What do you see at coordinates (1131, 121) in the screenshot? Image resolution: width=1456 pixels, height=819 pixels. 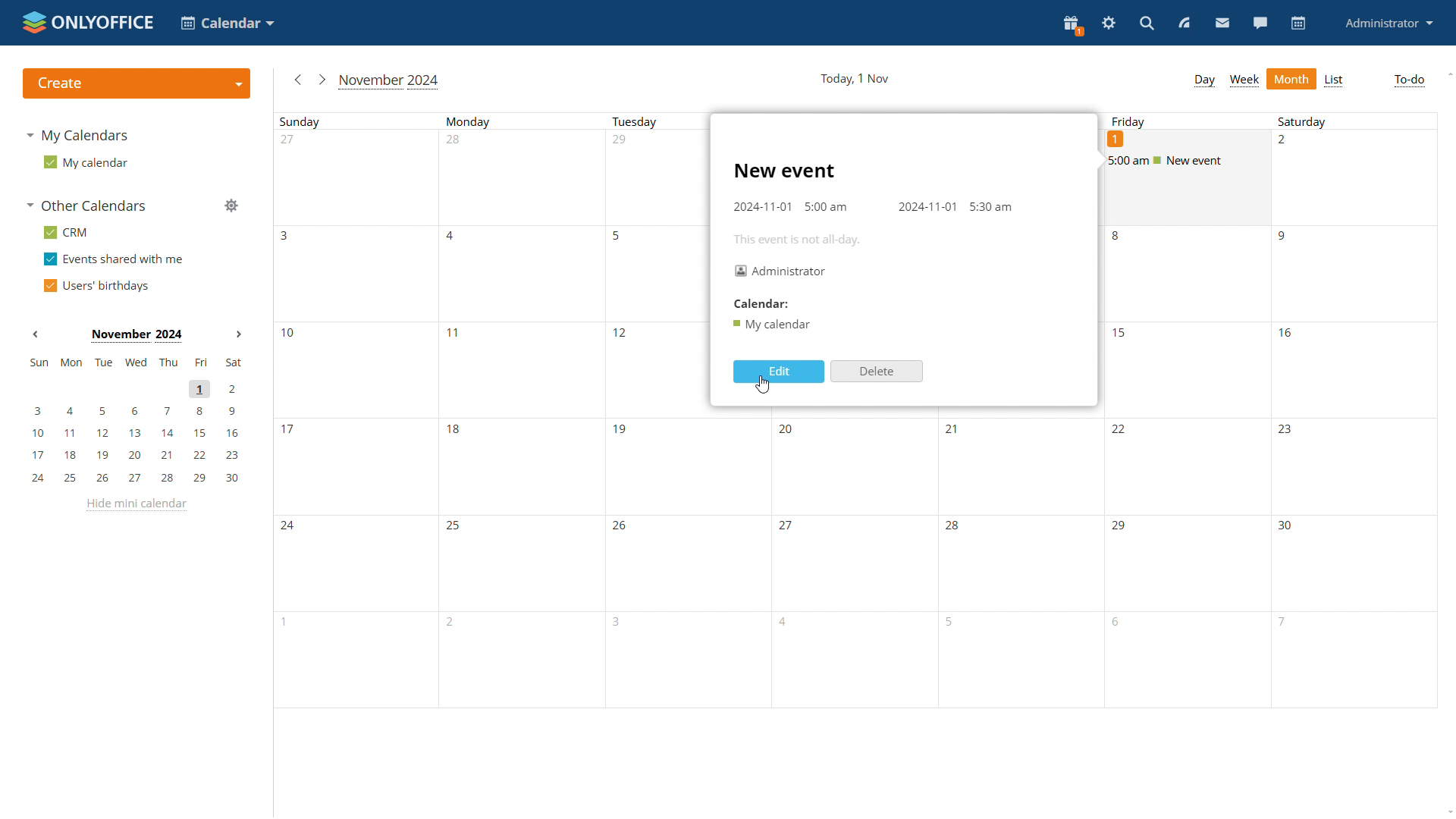 I see `Friday` at bounding box center [1131, 121].